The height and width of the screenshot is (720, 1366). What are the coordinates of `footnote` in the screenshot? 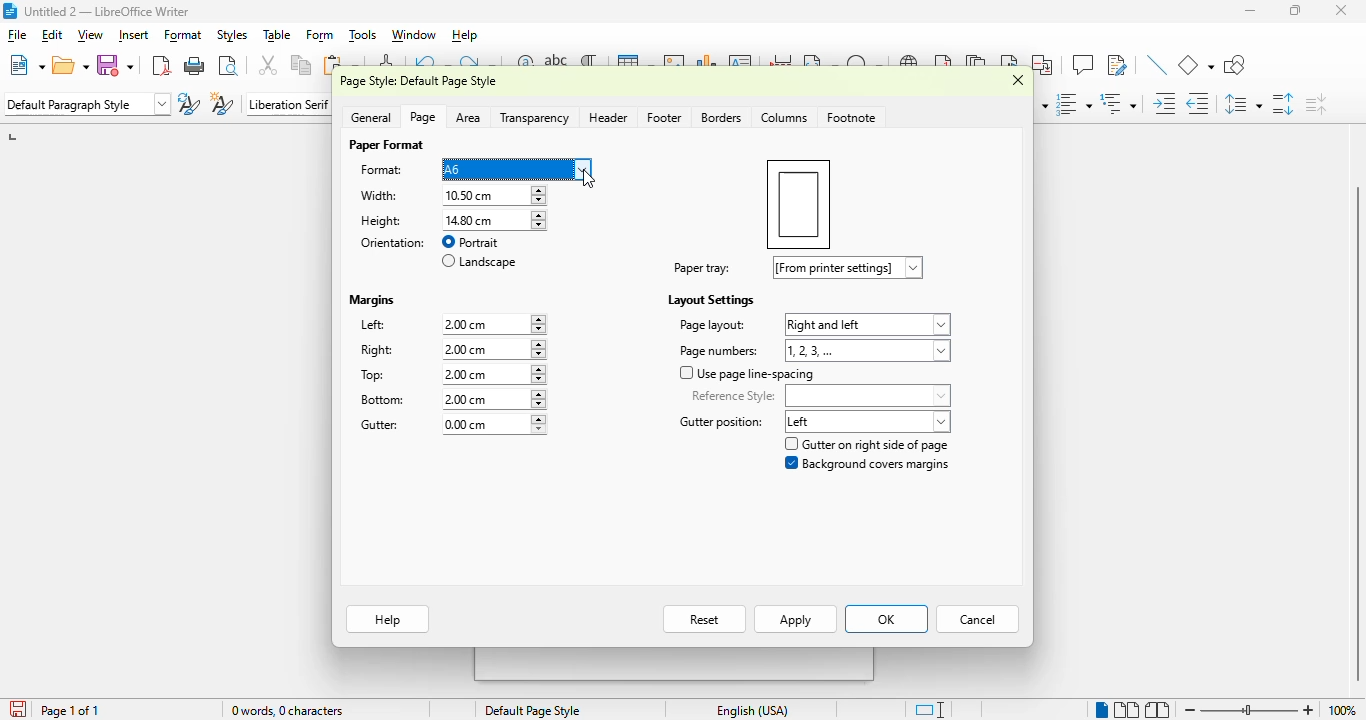 It's located at (852, 117).